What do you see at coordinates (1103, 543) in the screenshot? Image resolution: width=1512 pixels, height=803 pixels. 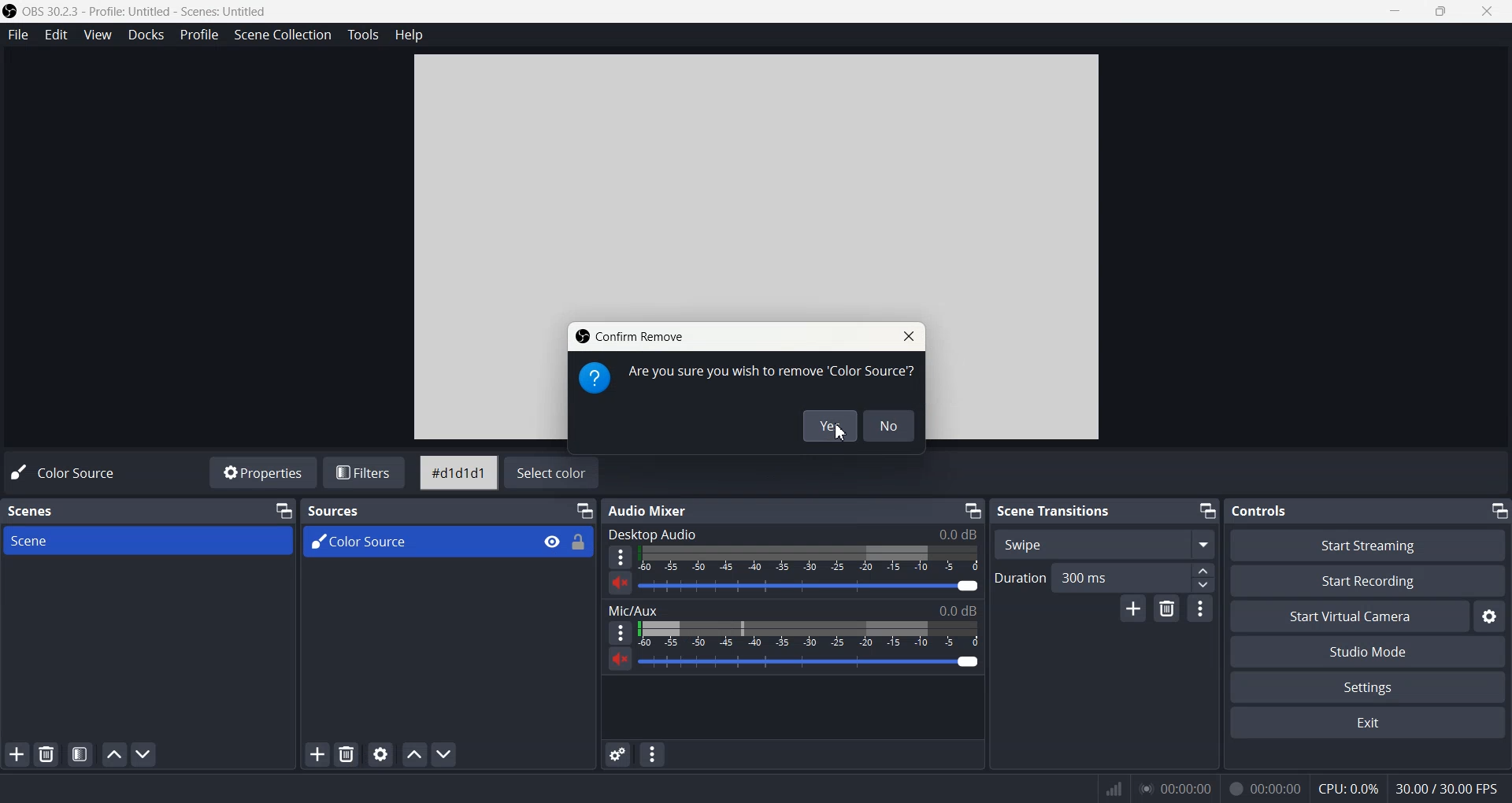 I see `Swipe` at bounding box center [1103, 543].